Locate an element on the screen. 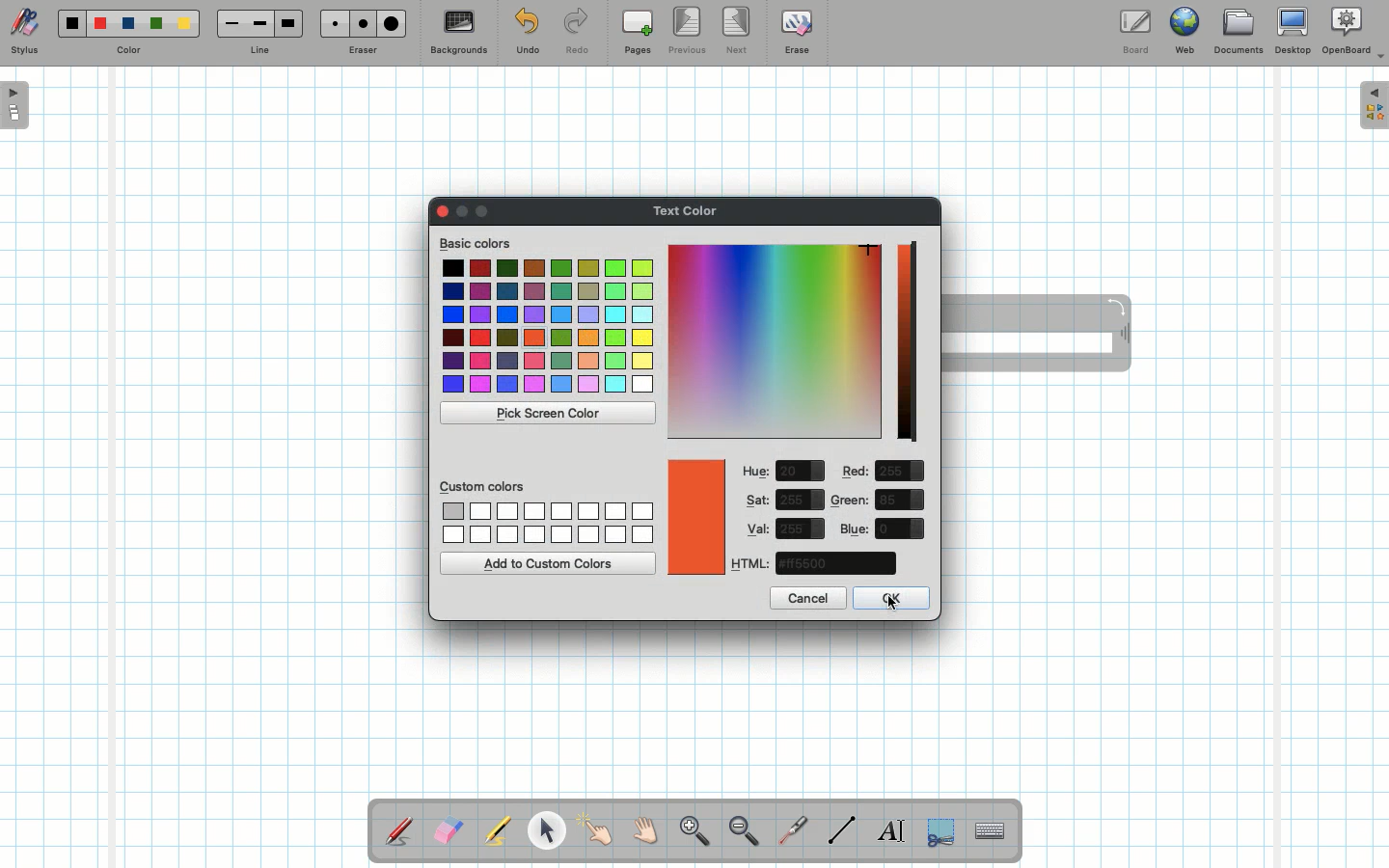  Custom colors is located at coordinates (484, 485).